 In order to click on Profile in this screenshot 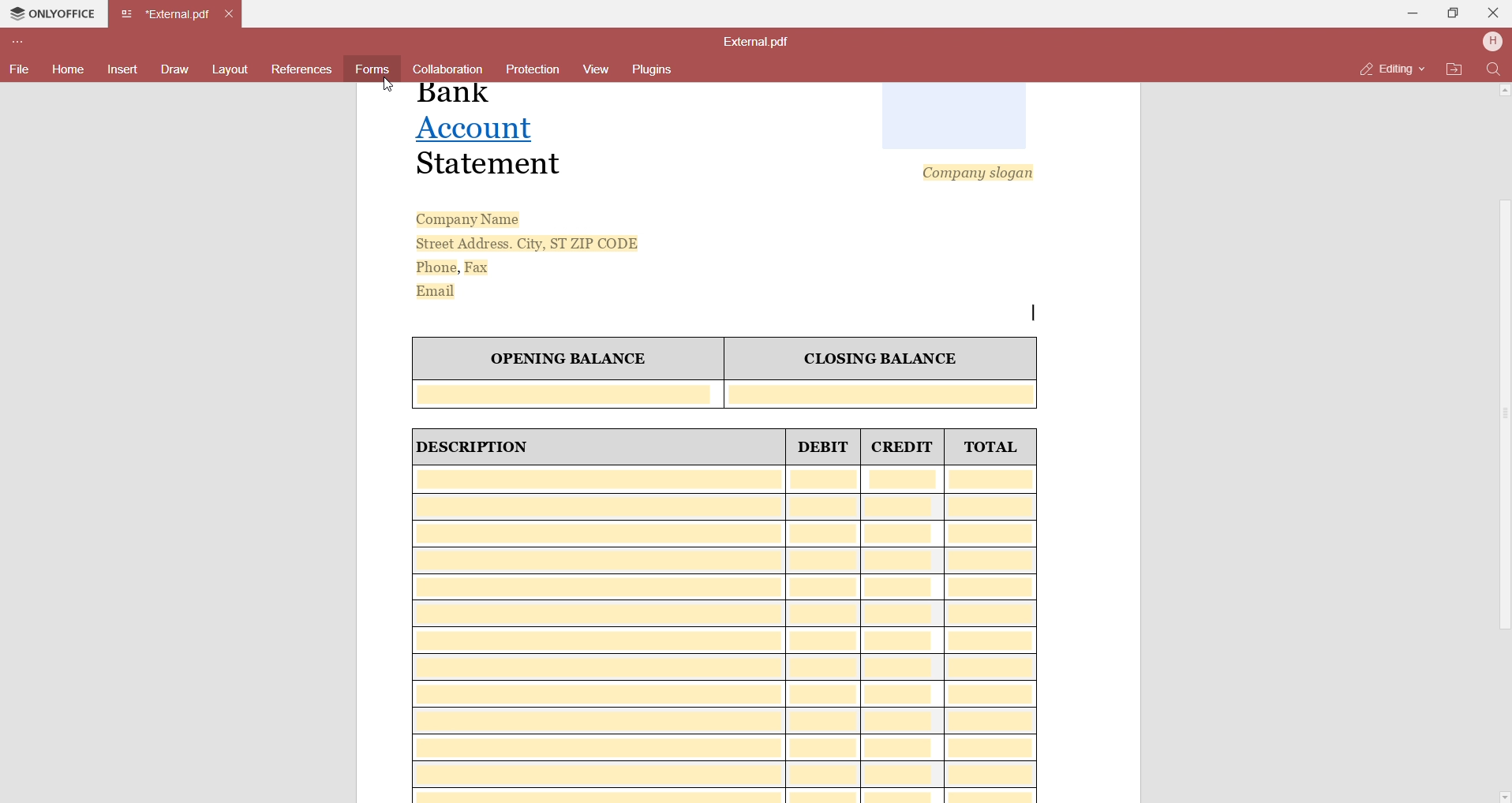, I will do `click(1493, 41)`.